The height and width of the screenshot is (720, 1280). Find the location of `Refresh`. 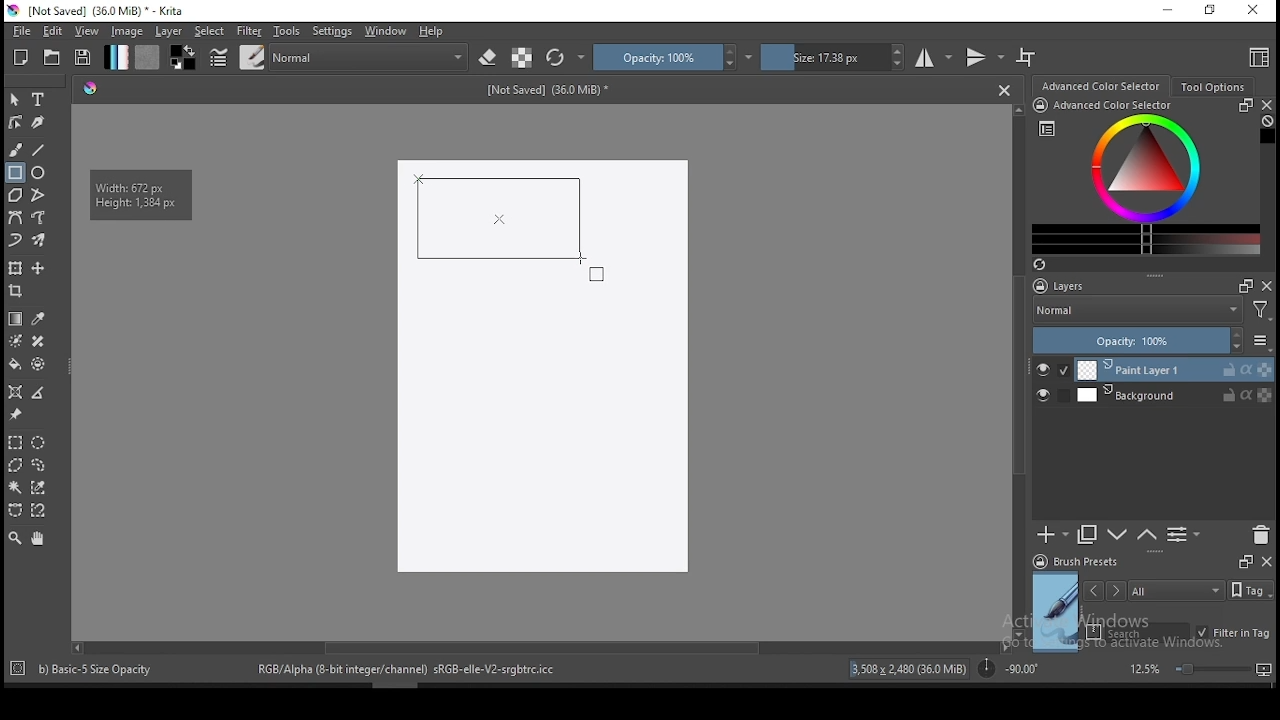

Refresh is located at coordinates (1047, 266).